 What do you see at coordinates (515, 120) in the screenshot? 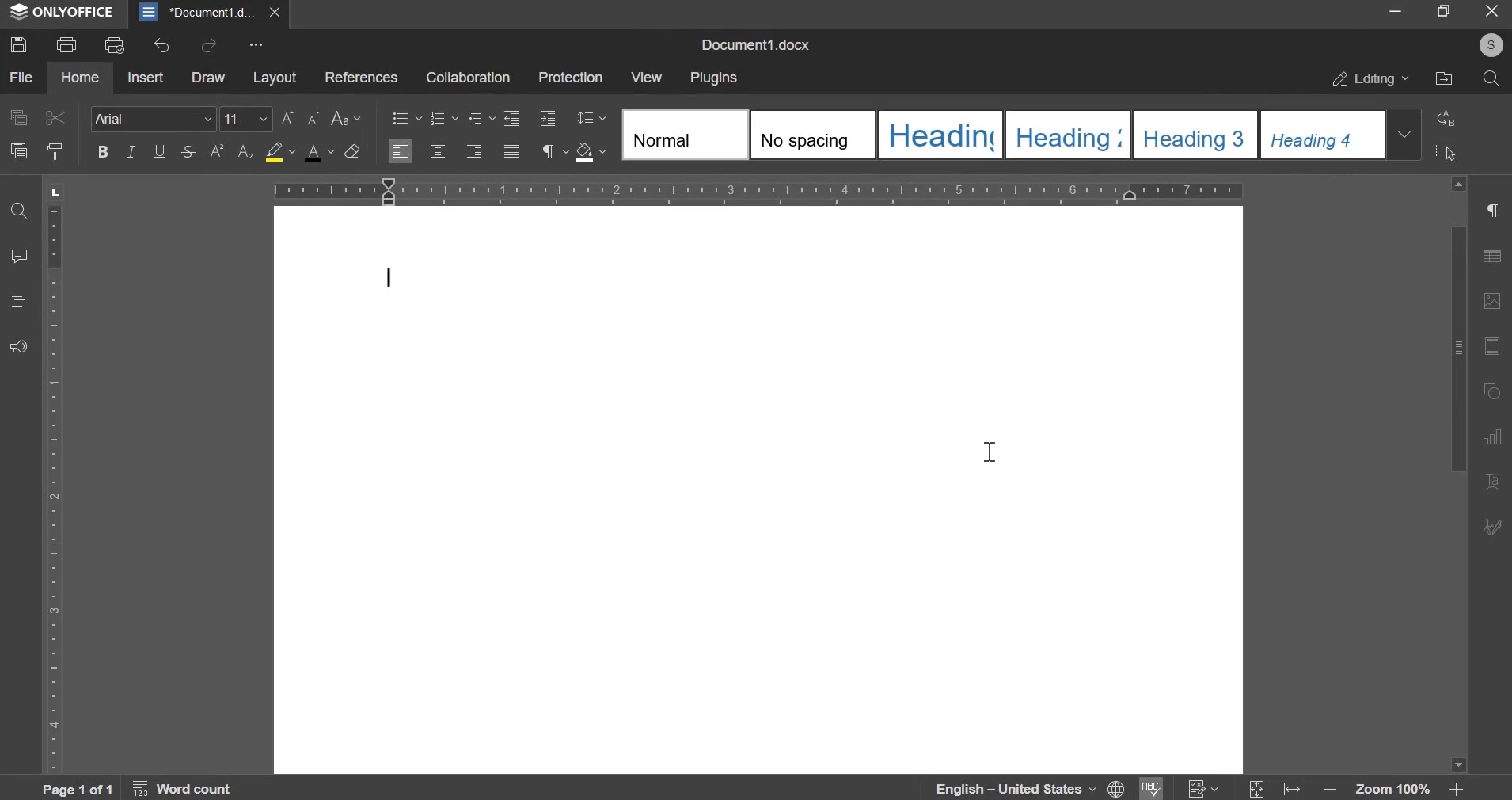
I see `decrease indent` at bounding box center [515, 120].